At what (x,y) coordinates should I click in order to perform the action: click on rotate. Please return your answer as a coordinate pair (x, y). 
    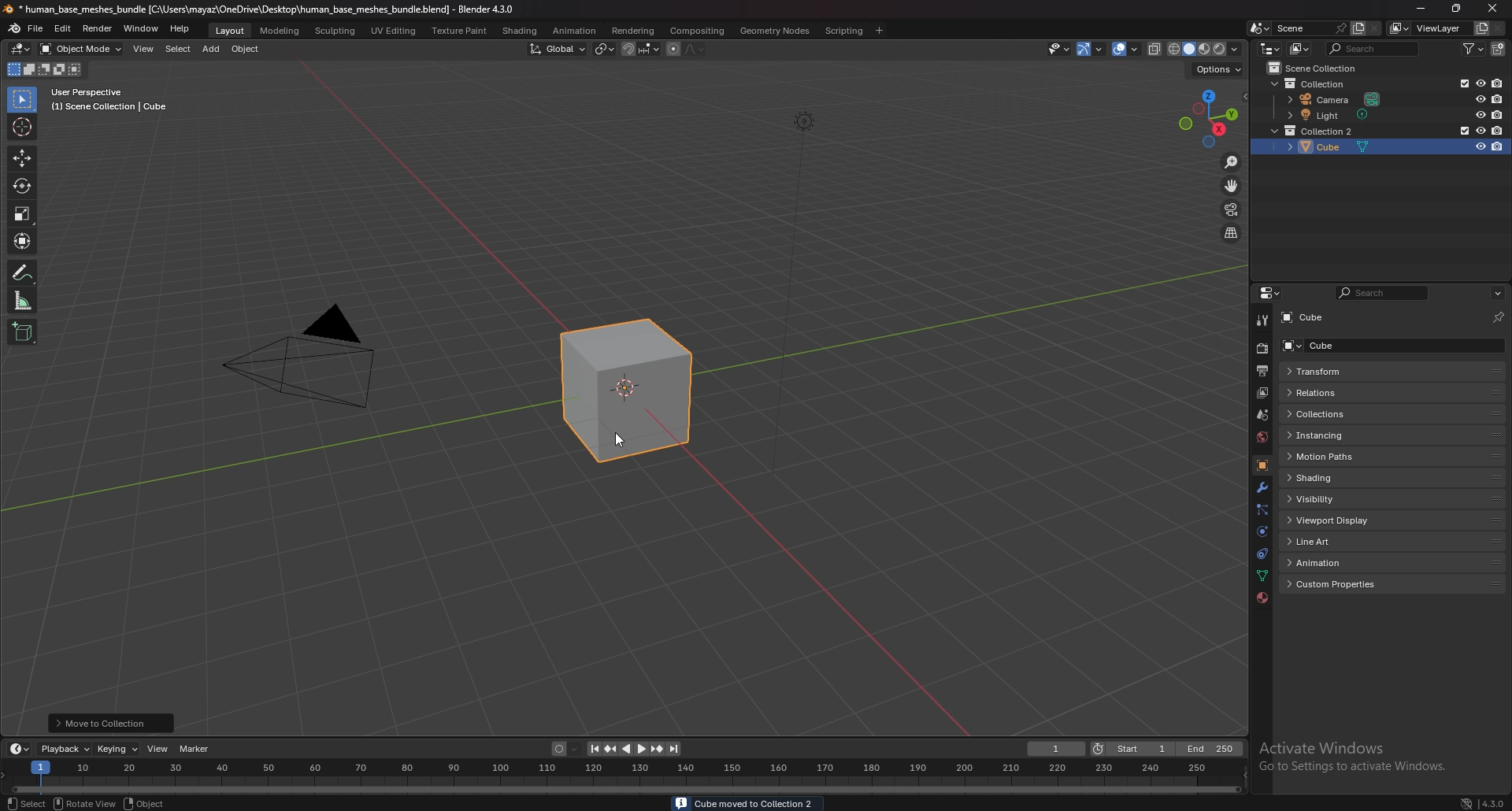
    Looking at the image, I should click on (23, 185).